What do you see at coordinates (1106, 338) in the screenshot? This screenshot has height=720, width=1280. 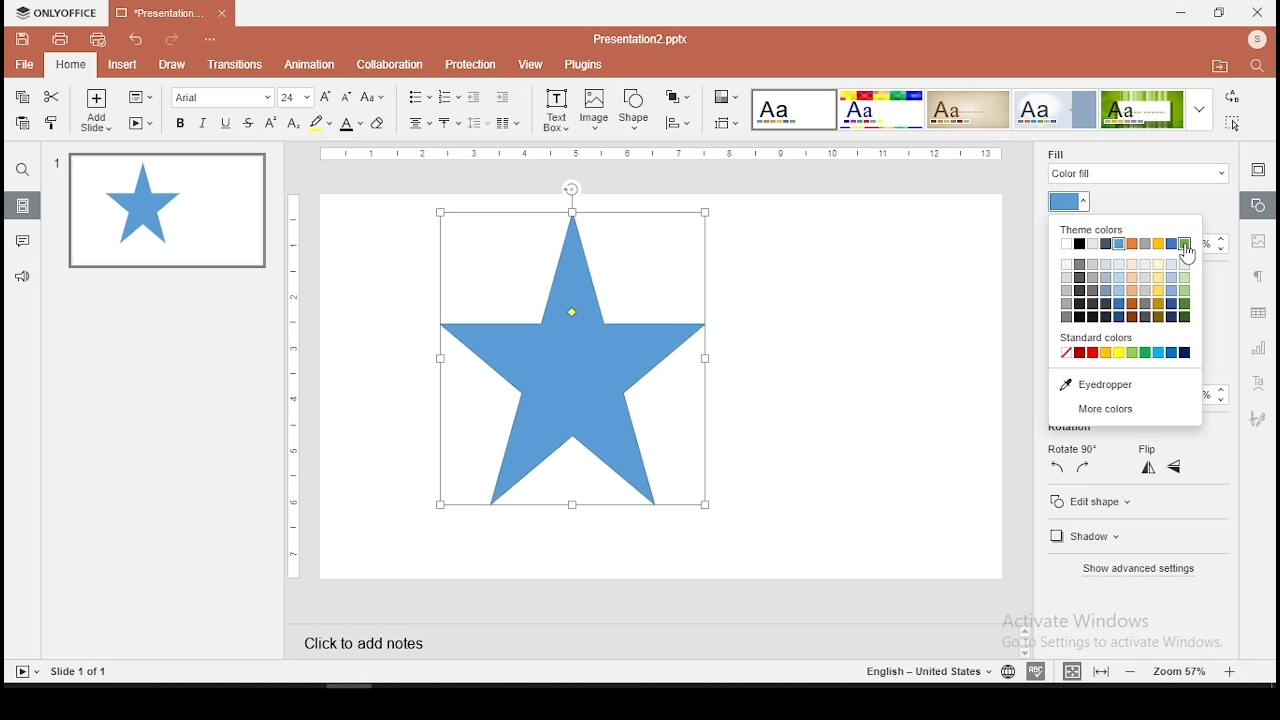 I see `standard colors` at bounding box center [1106, 338].